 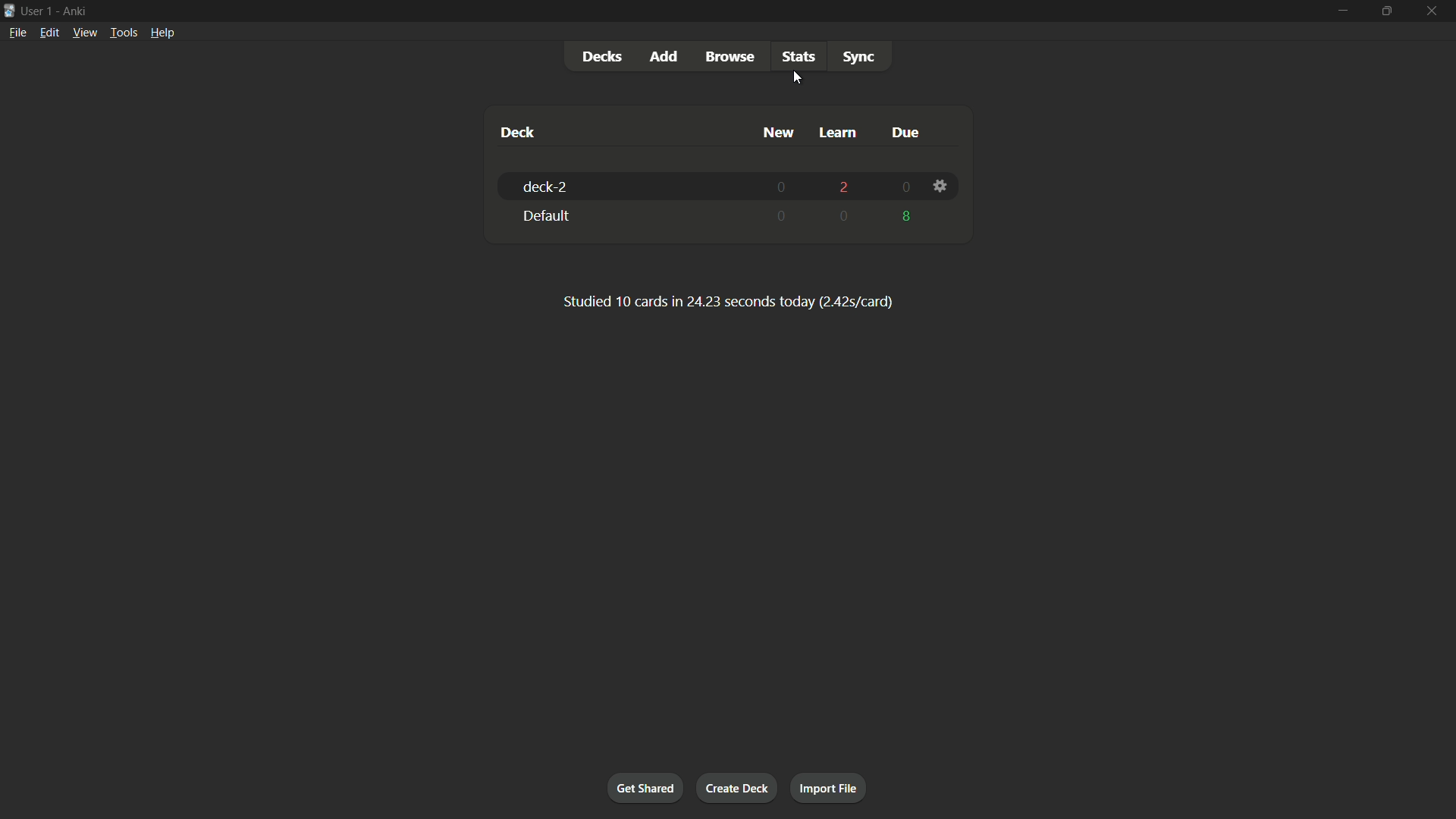 I want to click on Decks, so click(x=604, y=56).